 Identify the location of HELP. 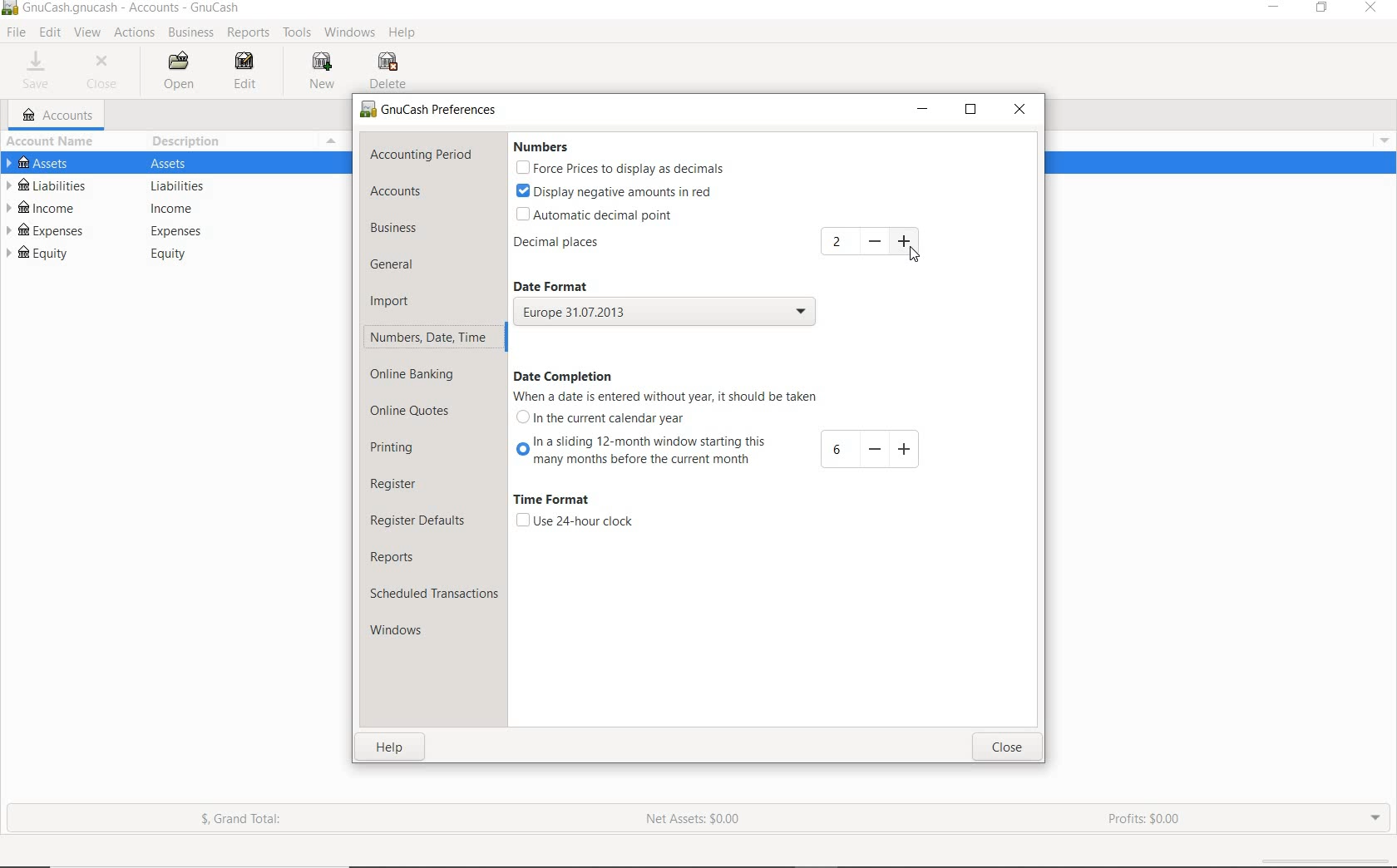
(406, 35).